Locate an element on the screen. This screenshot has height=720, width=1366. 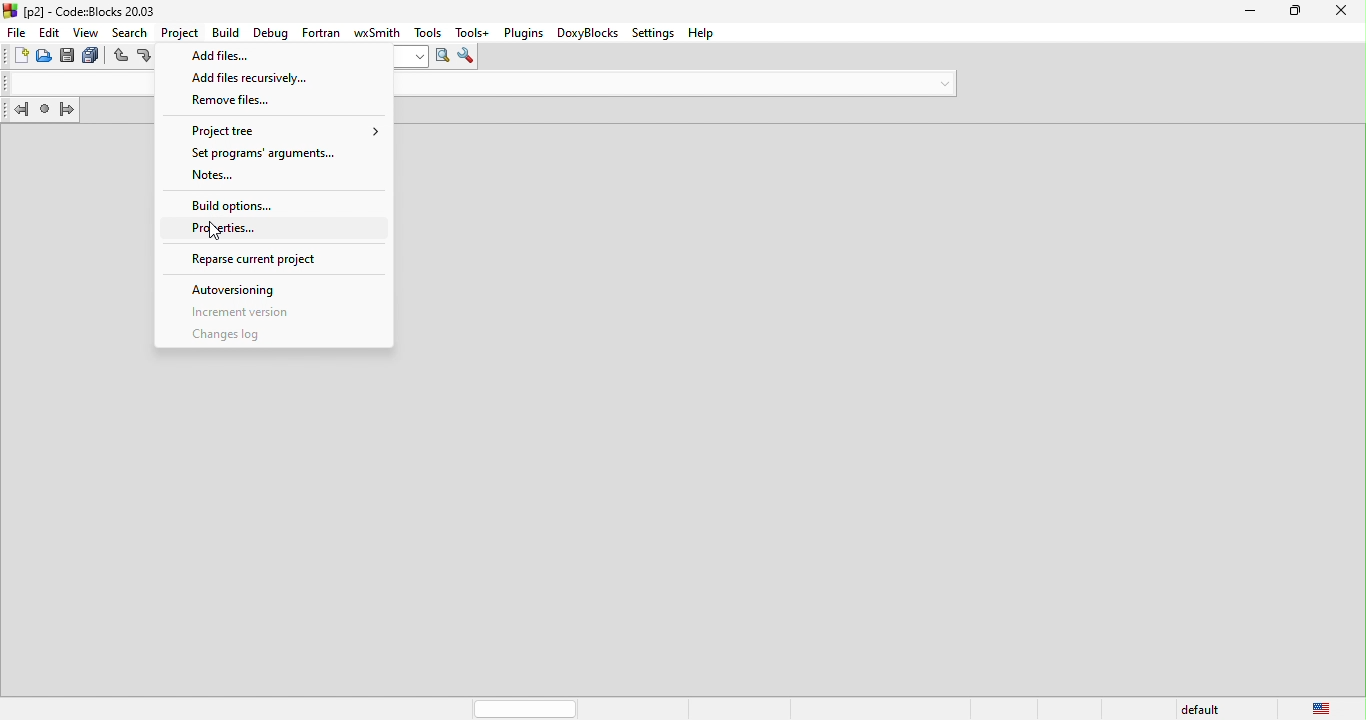
search is located at coordinates (132, 31).